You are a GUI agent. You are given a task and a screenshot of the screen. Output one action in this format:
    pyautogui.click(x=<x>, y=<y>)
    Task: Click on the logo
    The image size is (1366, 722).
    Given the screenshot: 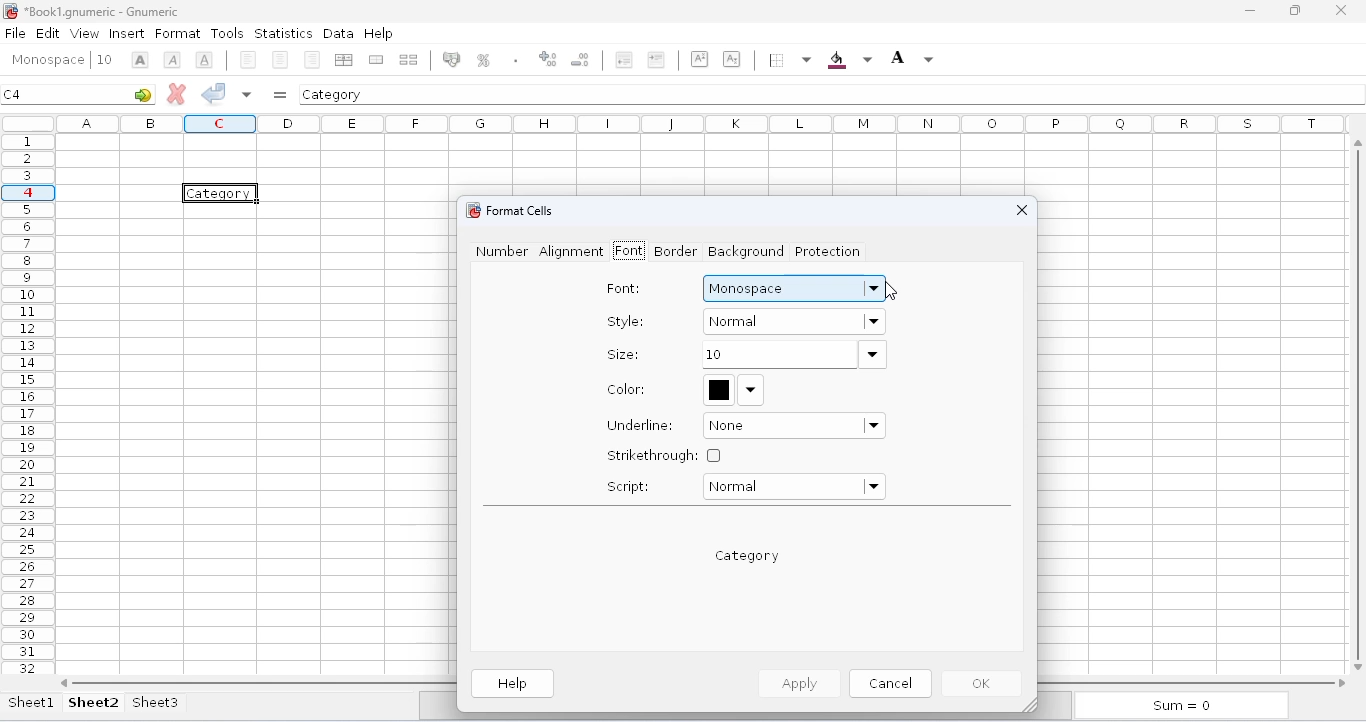 What is the action you would take?
    pyautogui.click(x=10, y=11)
    